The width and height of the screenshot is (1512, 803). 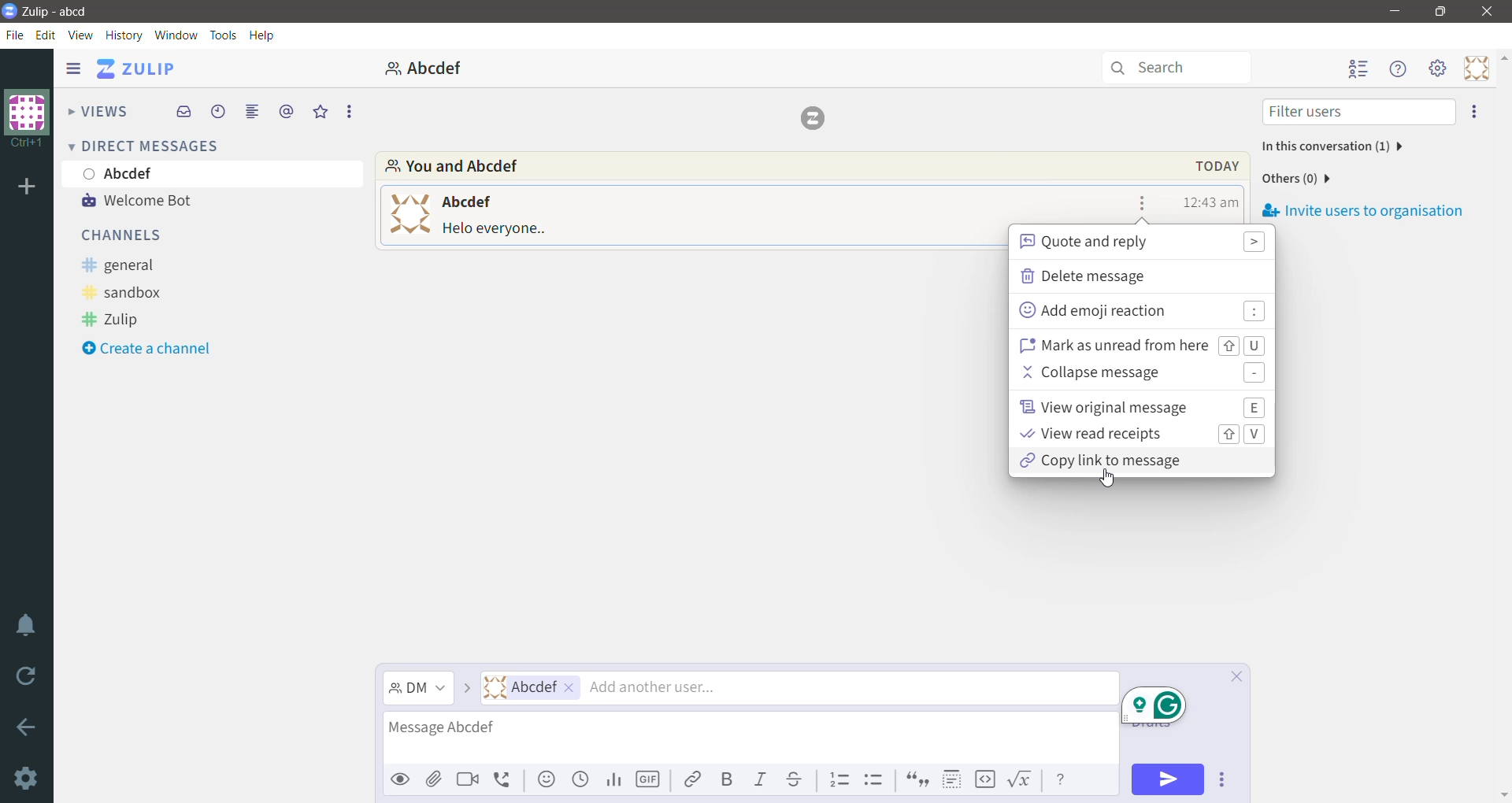 What do you see at coordinates (1210, 202) in the screenshot?
I see `Message Time` at bounding box center [1210, 202].